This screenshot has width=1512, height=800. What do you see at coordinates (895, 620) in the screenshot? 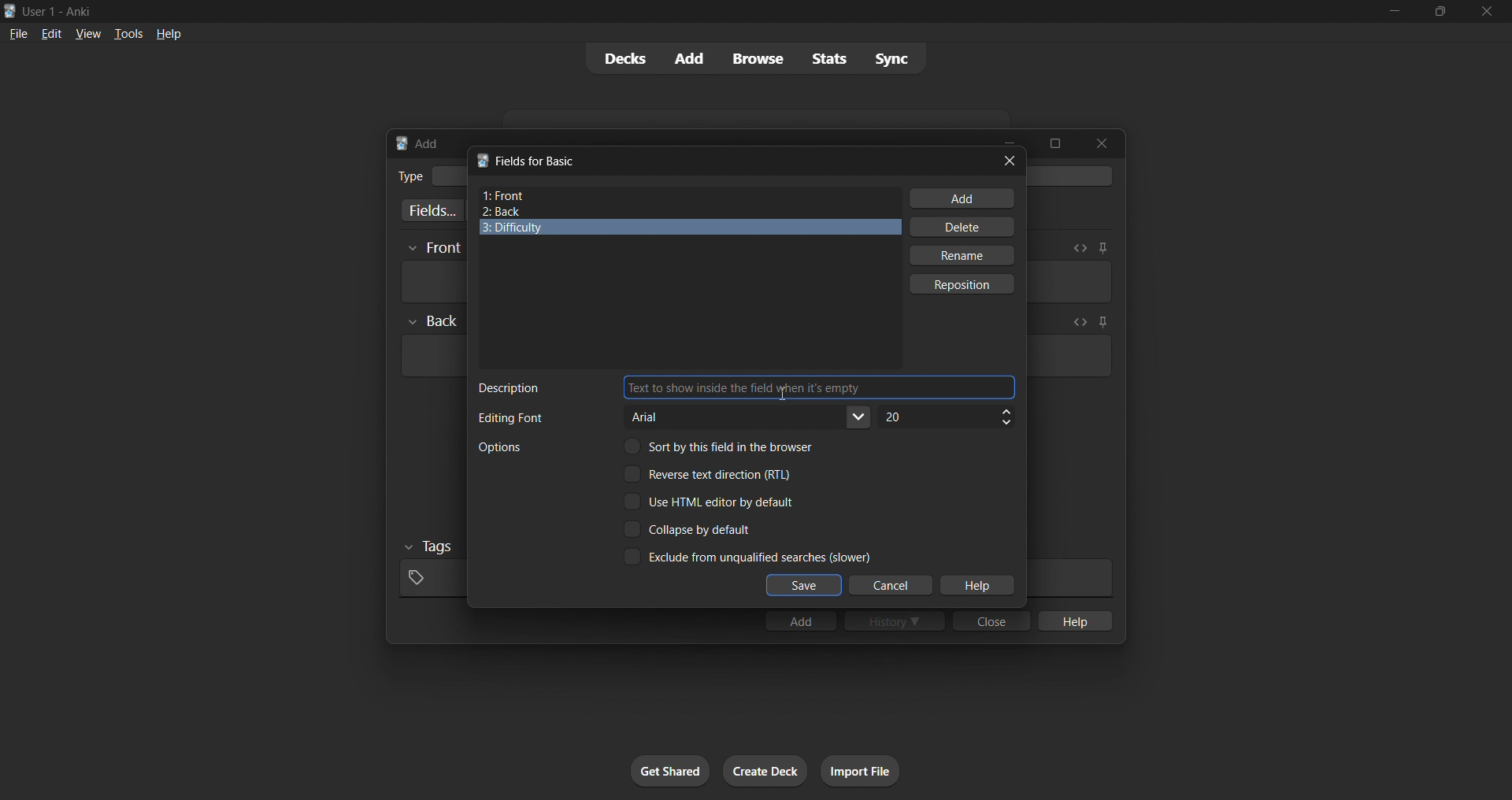
I see `history` at bounding box center [895, 620].